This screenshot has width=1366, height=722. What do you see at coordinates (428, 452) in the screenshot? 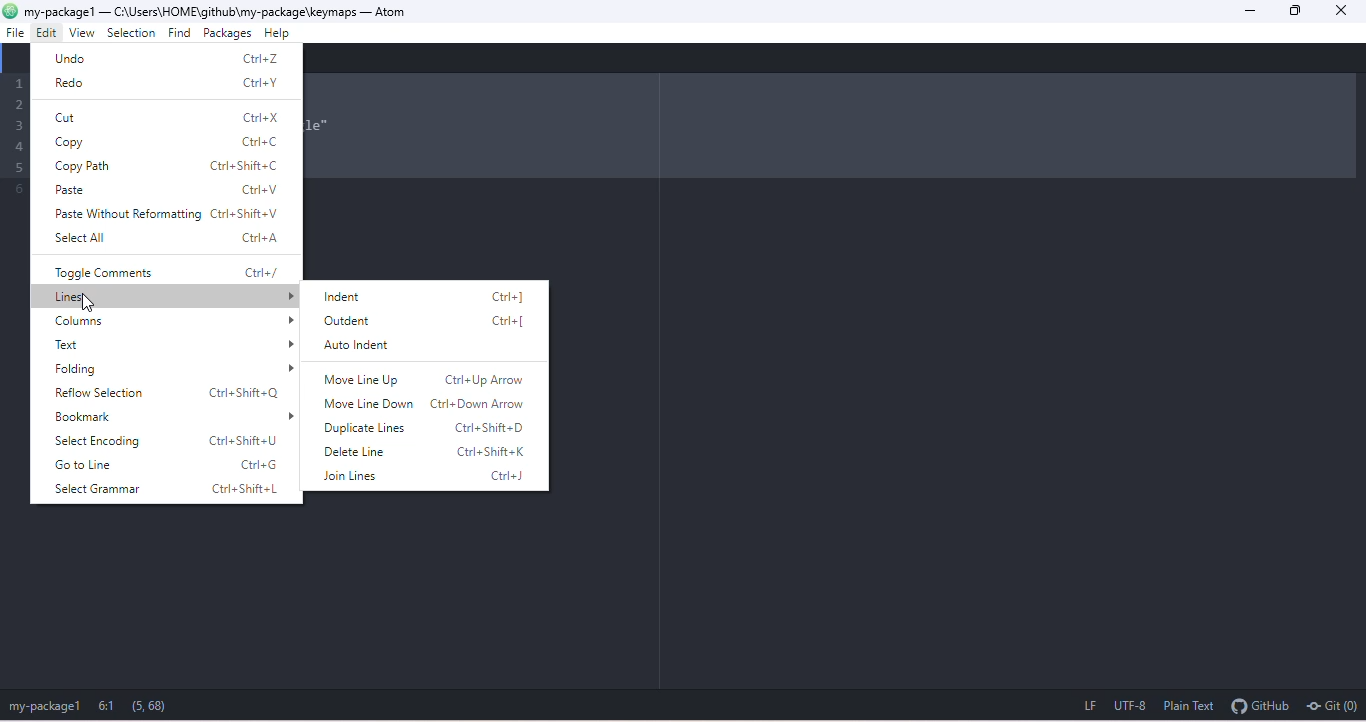
I see `delete line` at bounding box center [428, 452].